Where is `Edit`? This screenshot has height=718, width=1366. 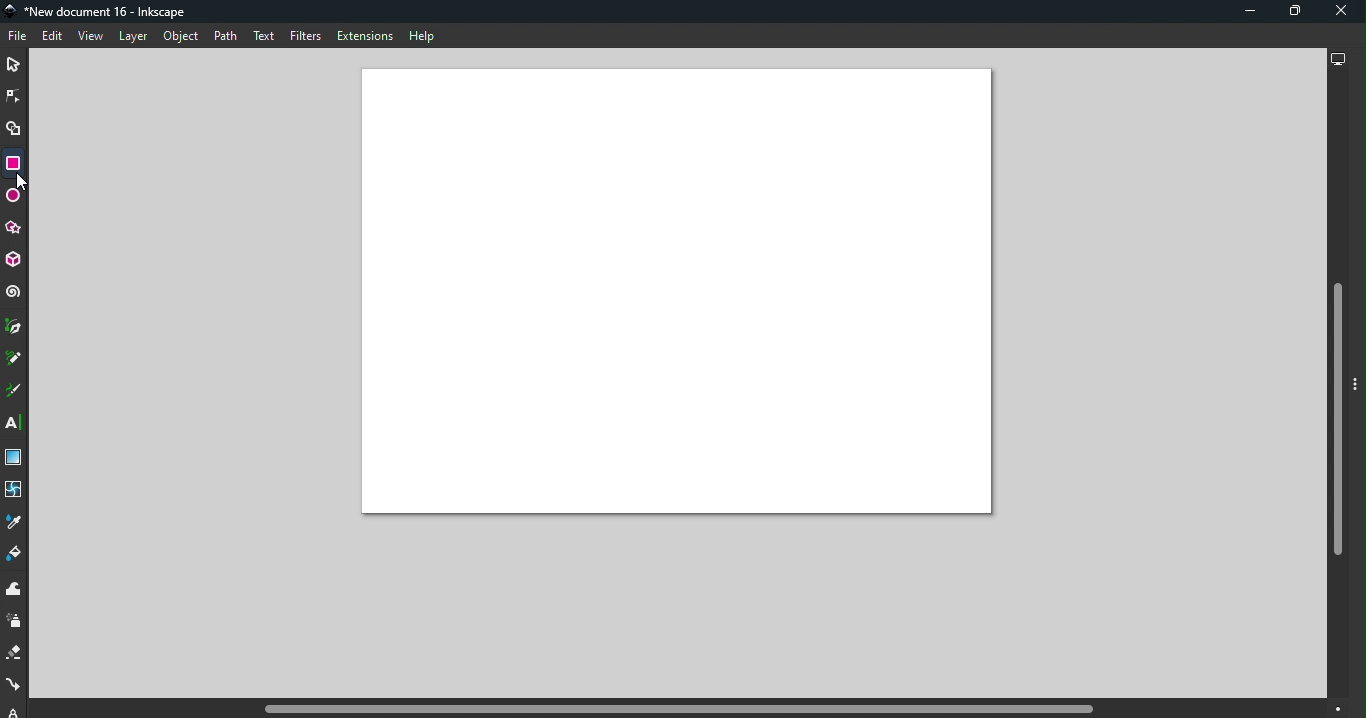 Edit is located at coordinates (51, 37).